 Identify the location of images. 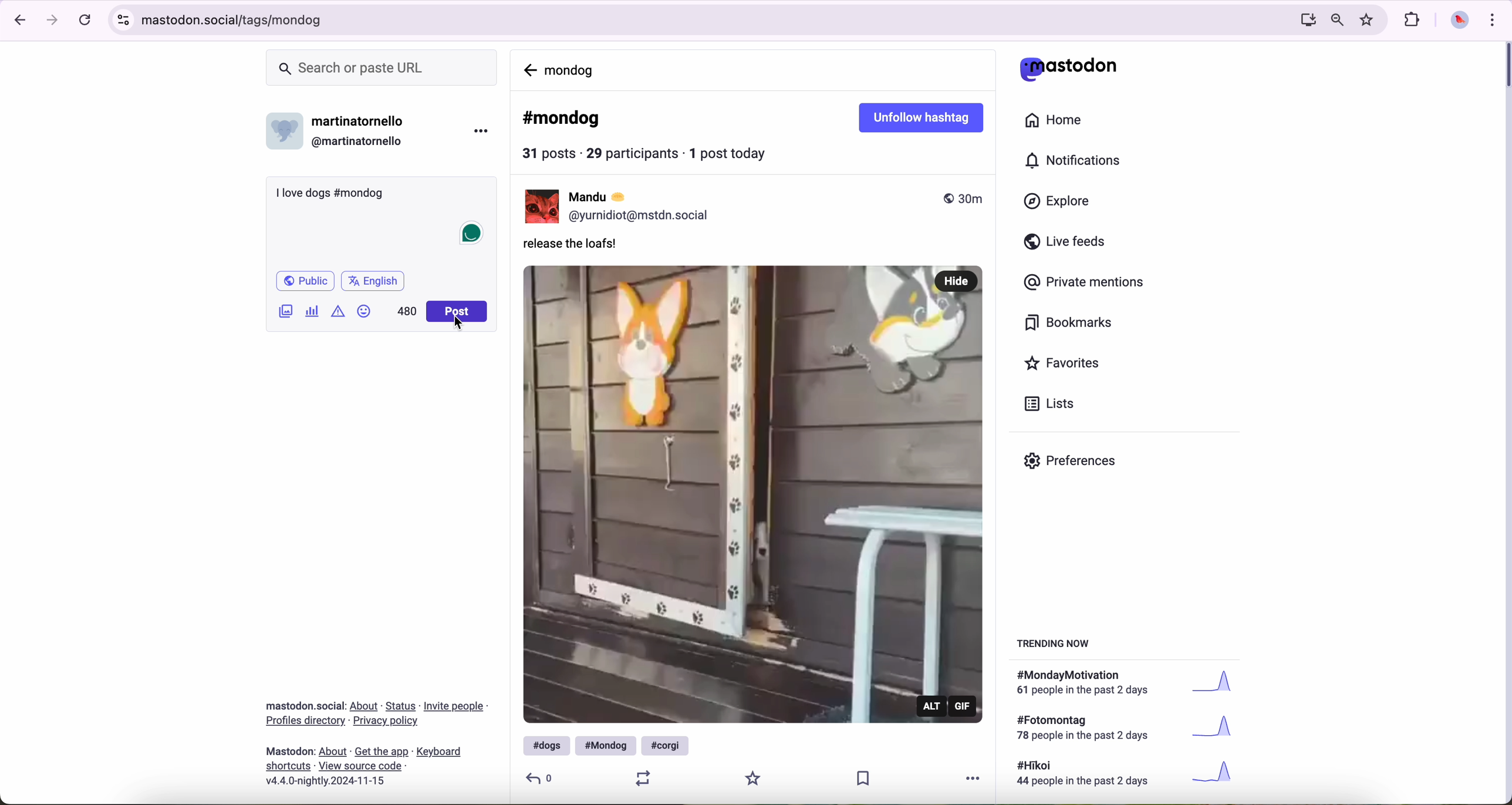
(286, 312).